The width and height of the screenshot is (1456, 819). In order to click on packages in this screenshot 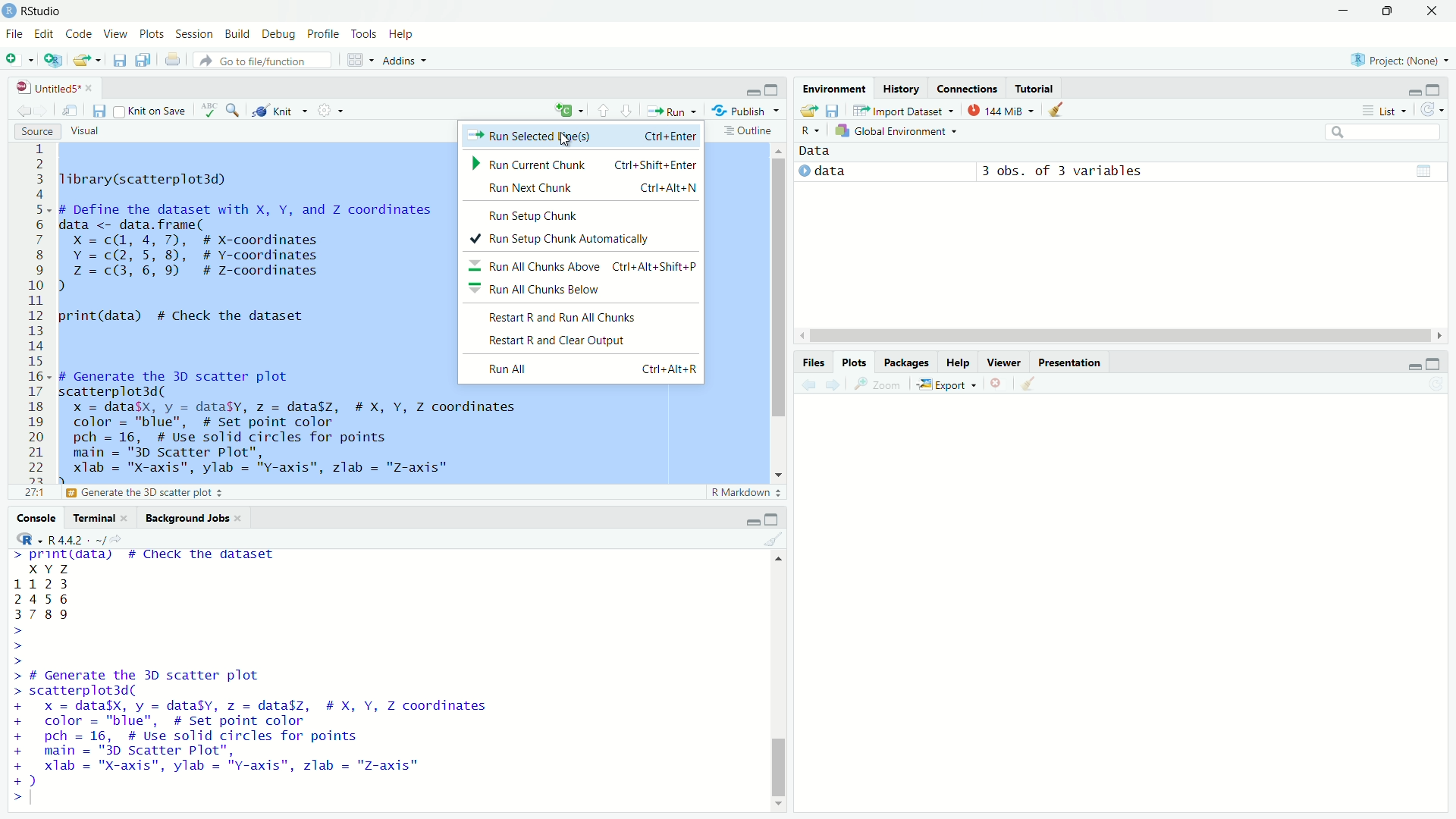, I will do `click(905, 362)`.